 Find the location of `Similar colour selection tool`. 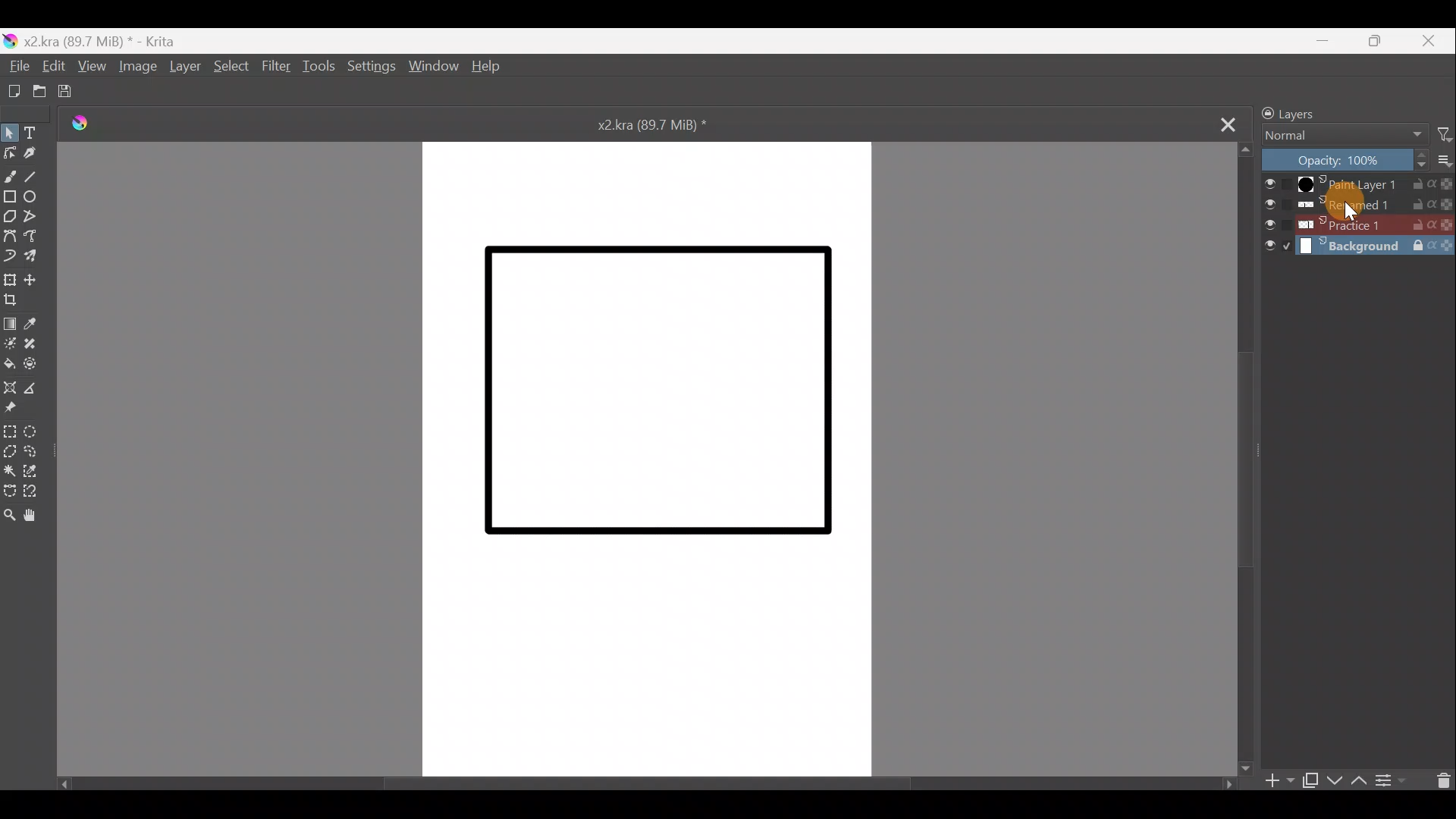

Similar colour selection tool is located at coordinates (39, 470).